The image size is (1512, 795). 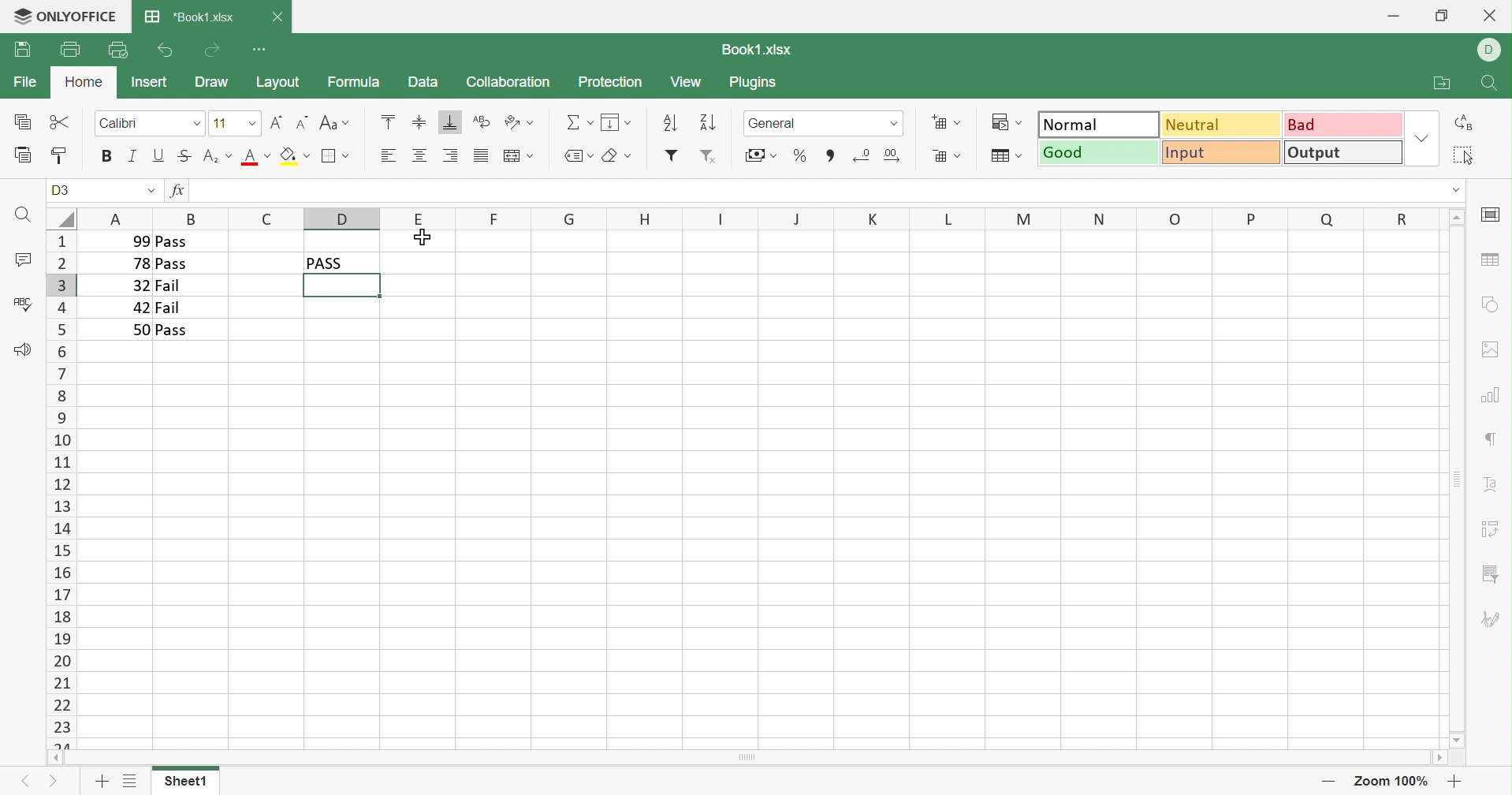 I want to click on fx, so click(x=173, y=191).